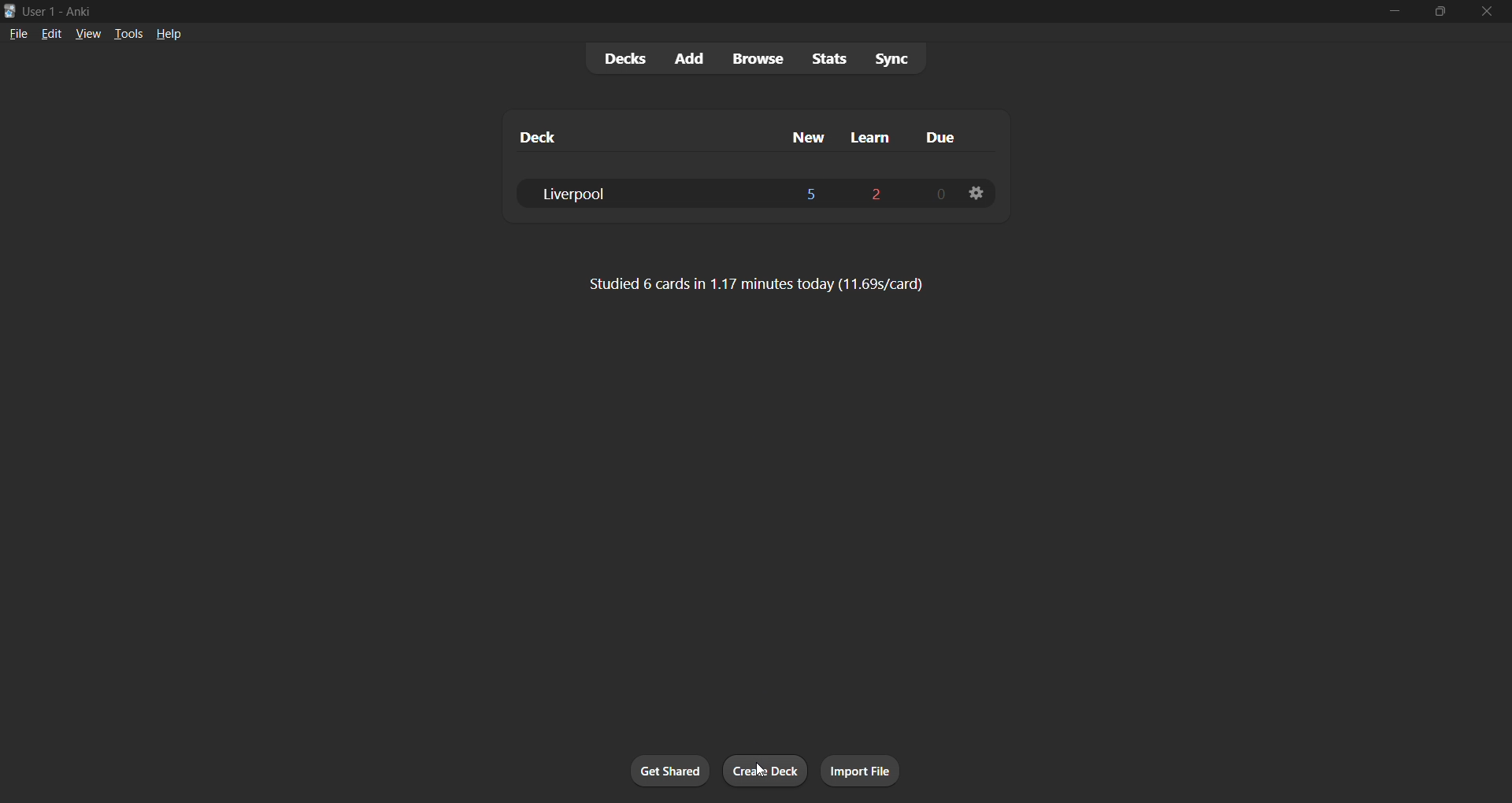 This screenshot has width=1512, height=803. What do you see at coordinates (14, 37) in the screenshot?
I see `file` at bounding box center [14, 37].